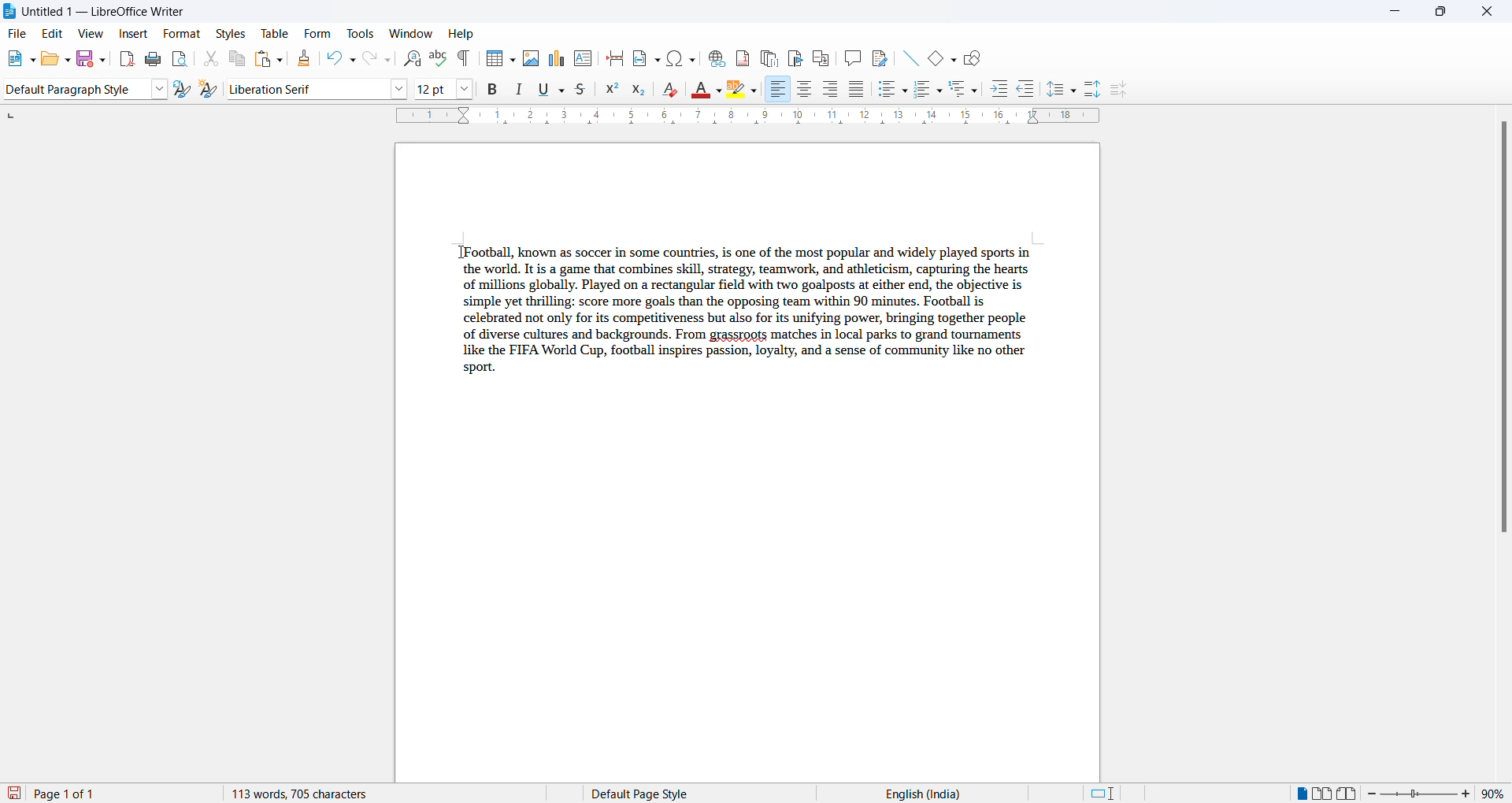  I want to click on print preview, so click(182, 60).